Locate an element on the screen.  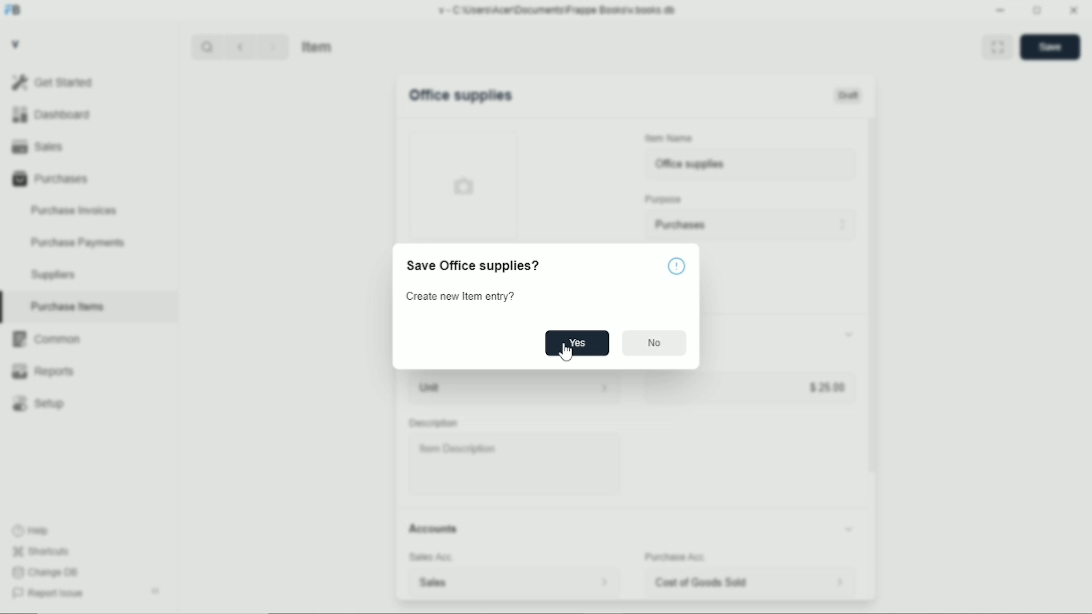
Next is located at coordinates (273, 46).